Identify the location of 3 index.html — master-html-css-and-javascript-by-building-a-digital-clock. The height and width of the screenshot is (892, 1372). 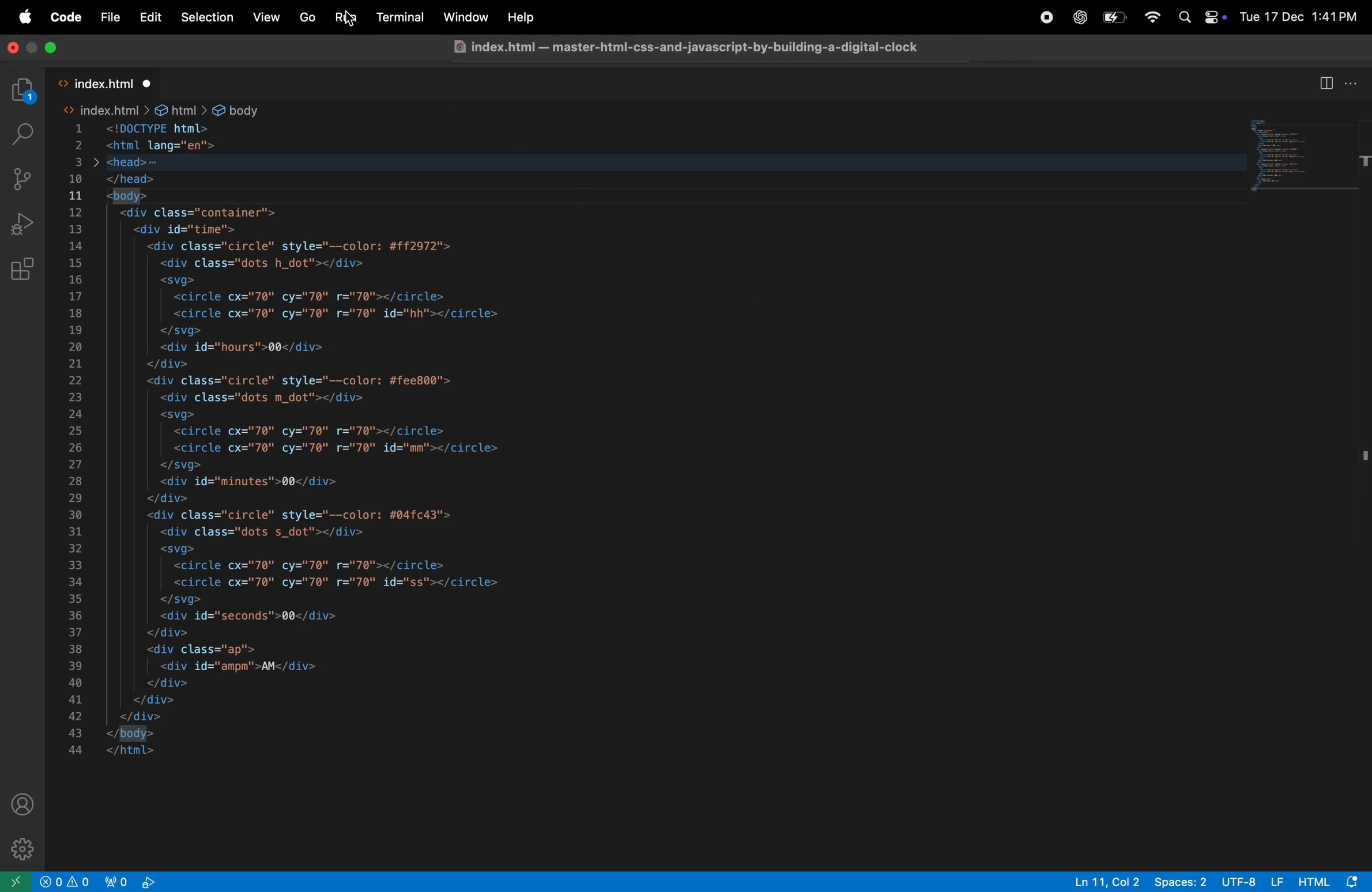
(688, 46).